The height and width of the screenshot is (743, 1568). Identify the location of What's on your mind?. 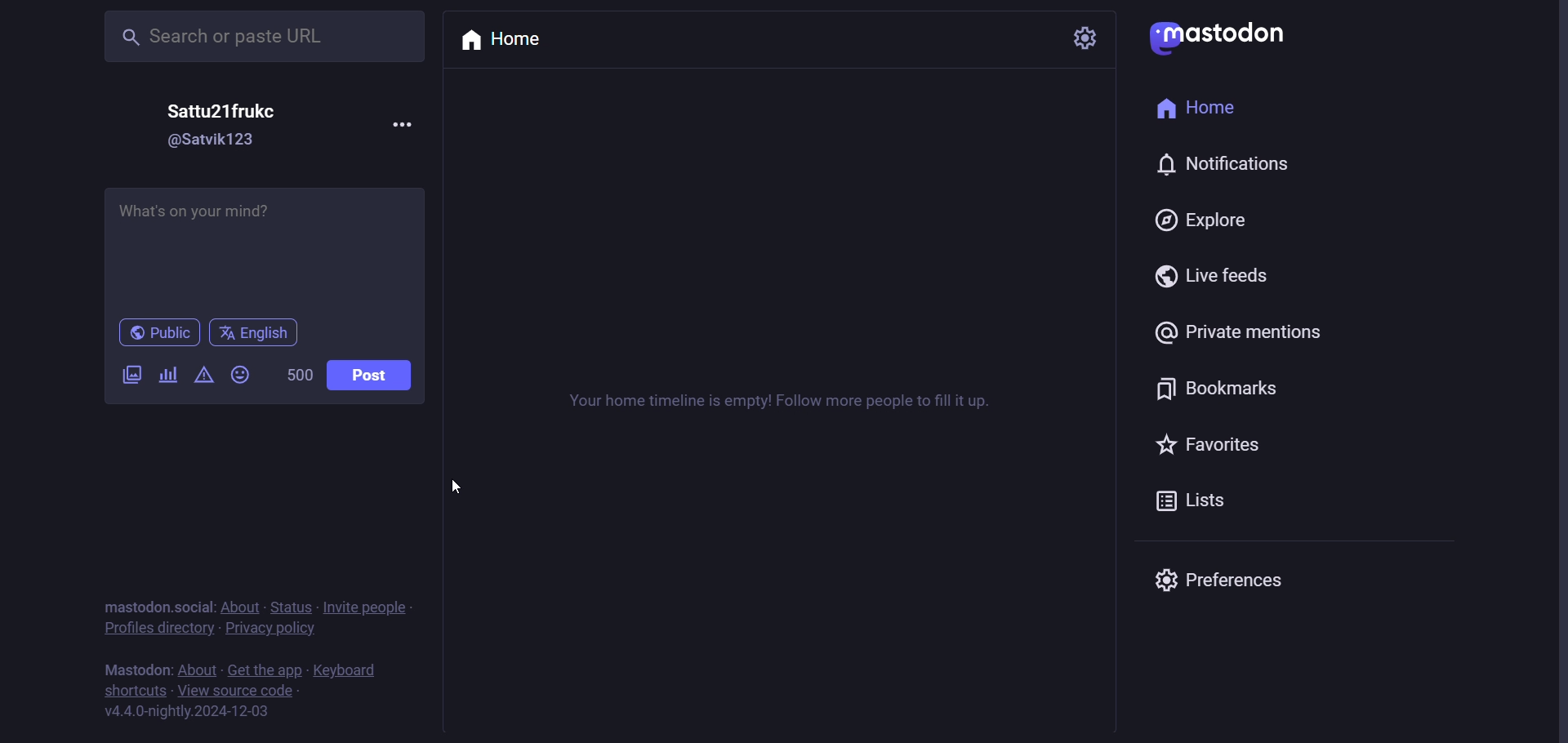
(268, 250).